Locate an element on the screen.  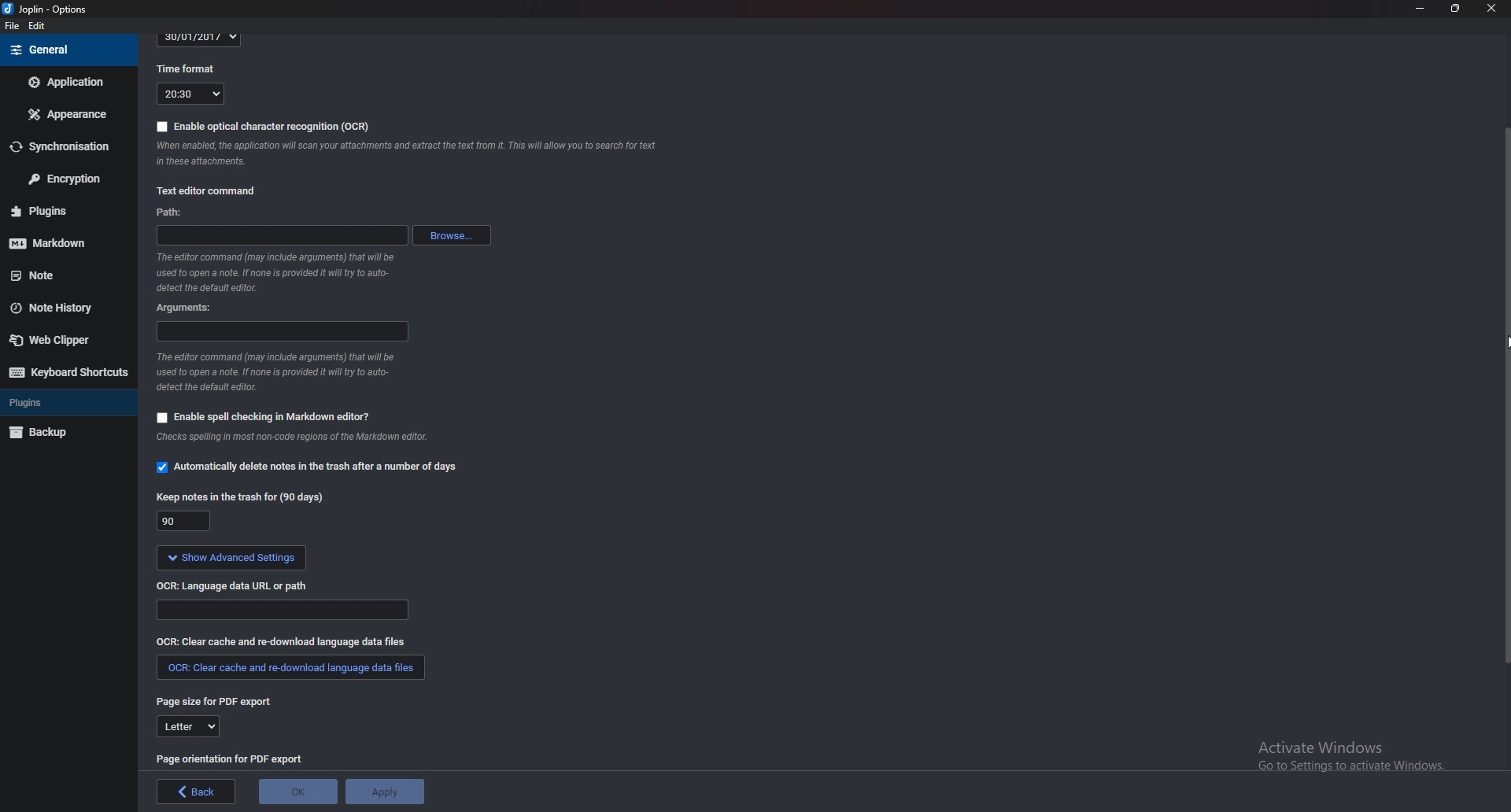
Keyboard shortcuts is located at coordinates (68, 372).